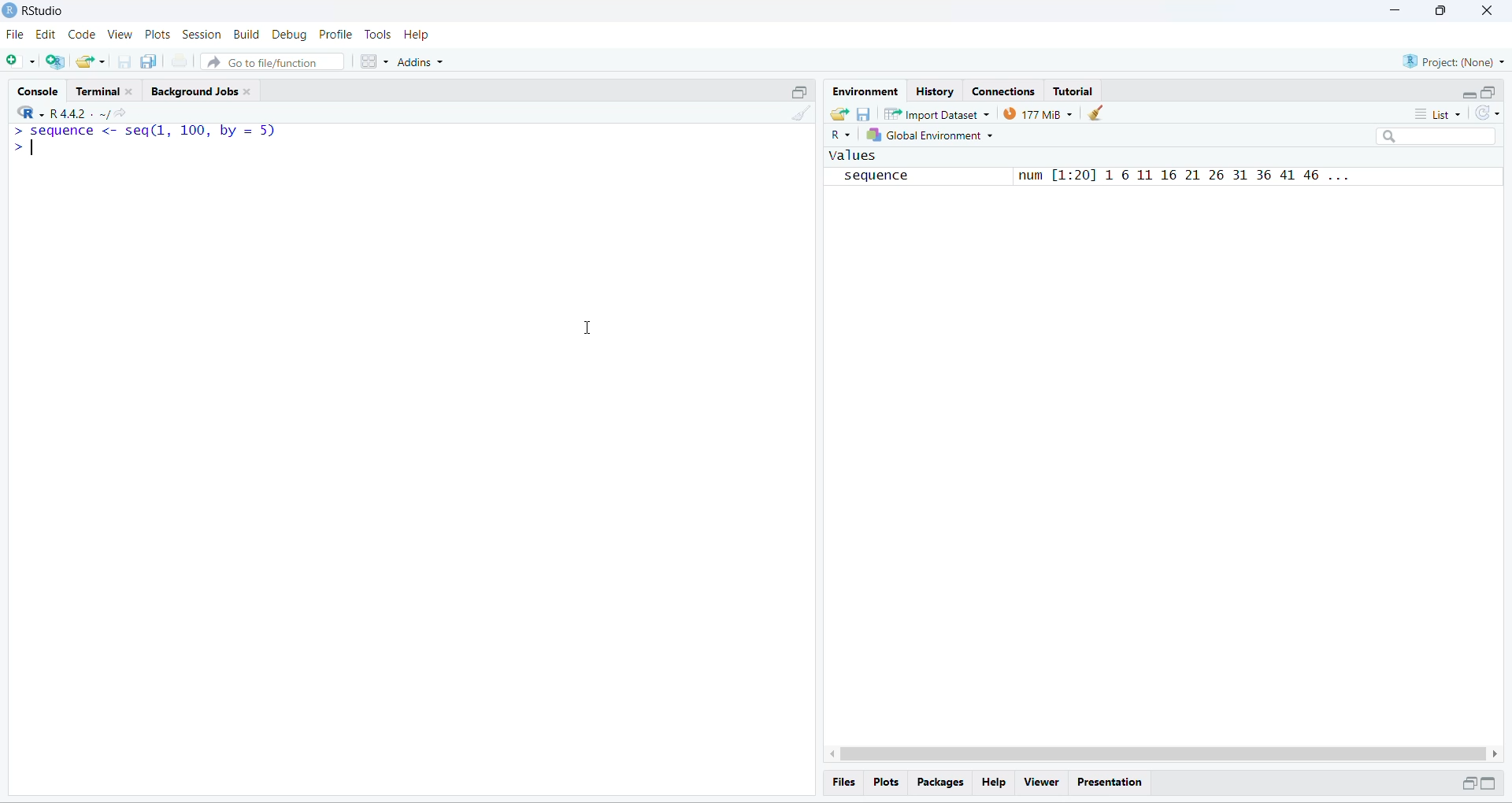  I want to click on grid, so click(376, 62).